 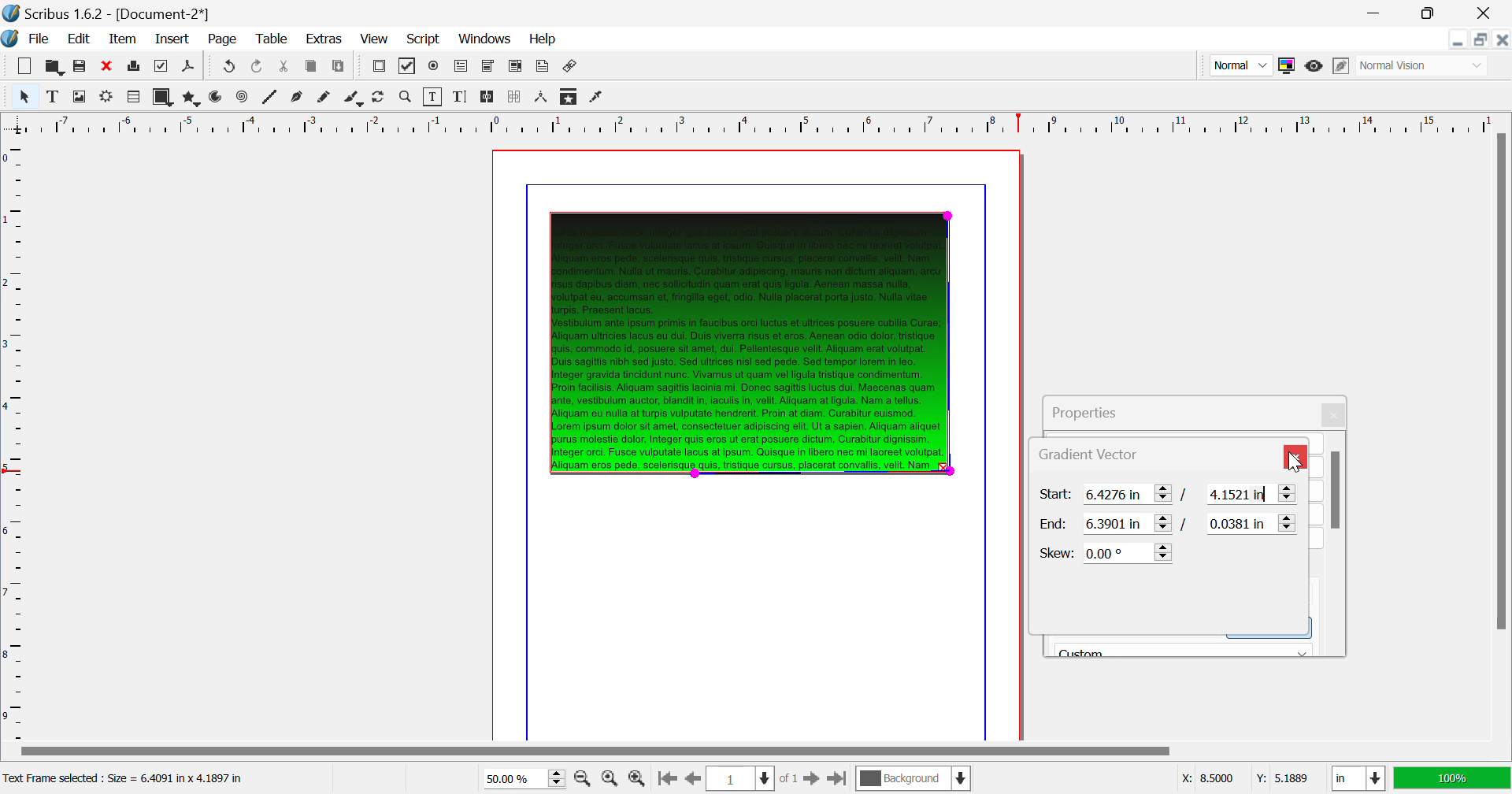 What do you see at coordinates (460, 97) in the screenshot?
I see `Edit Text with Story Editor` at bounding box center [460, 97].